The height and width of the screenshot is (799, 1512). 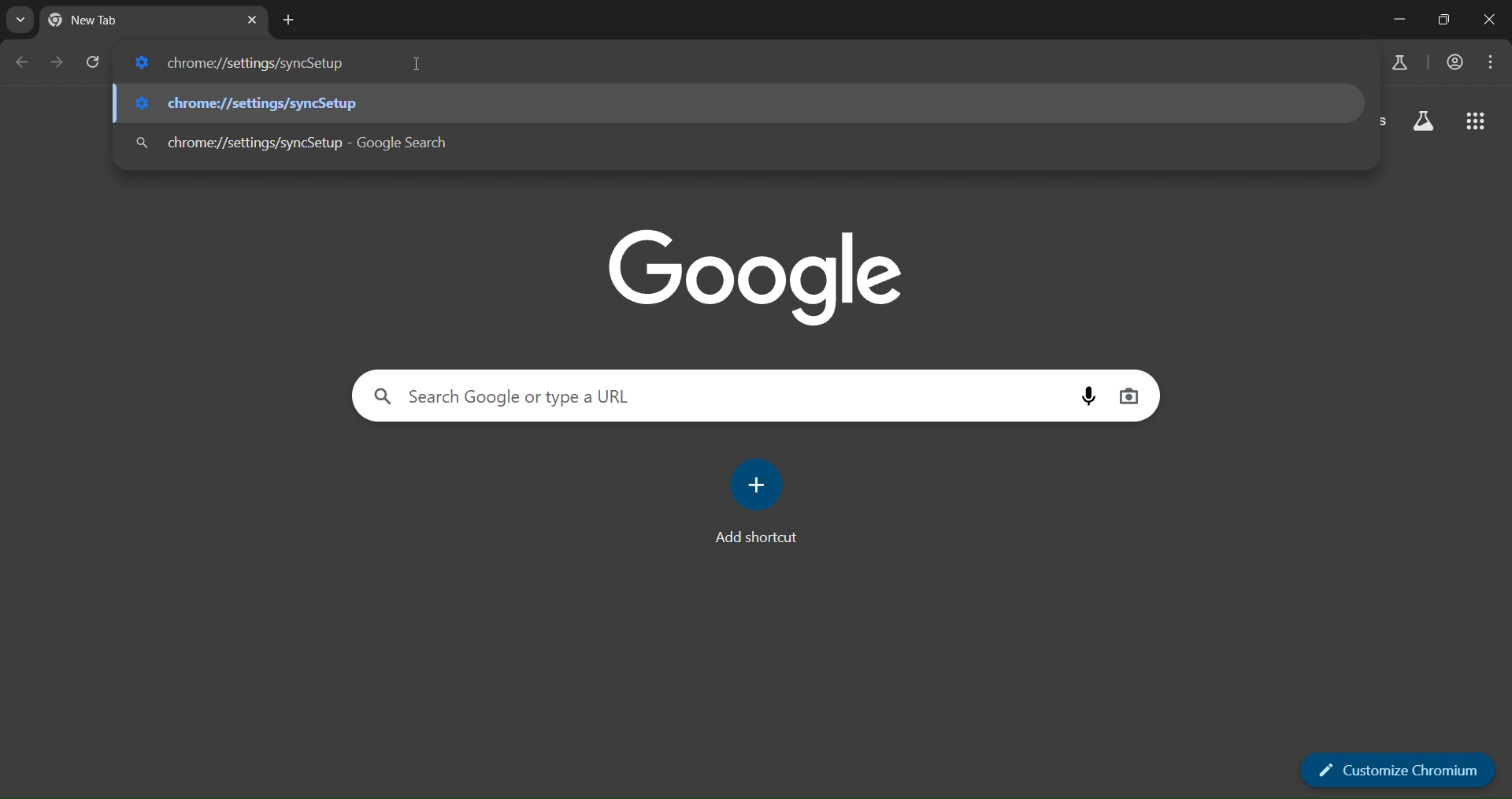 What do you see at coordinates (756, 274) in the screenshot?
I see `image` at bounding box center [756, 274].